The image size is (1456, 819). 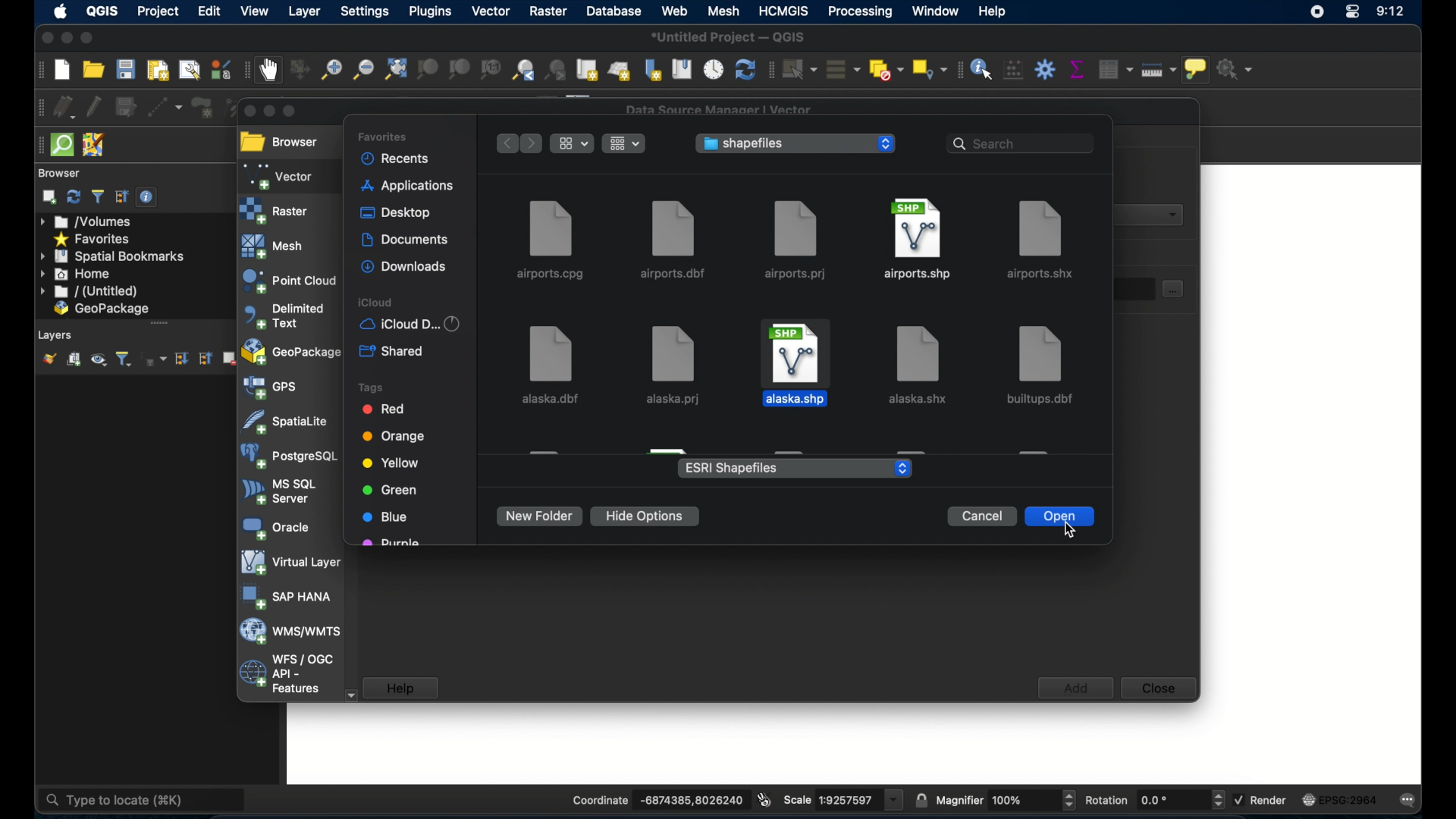 What do you see at coordinates (288, 281) in the screenshot?
I see `point cloud ` at bounding box center [288, 281].